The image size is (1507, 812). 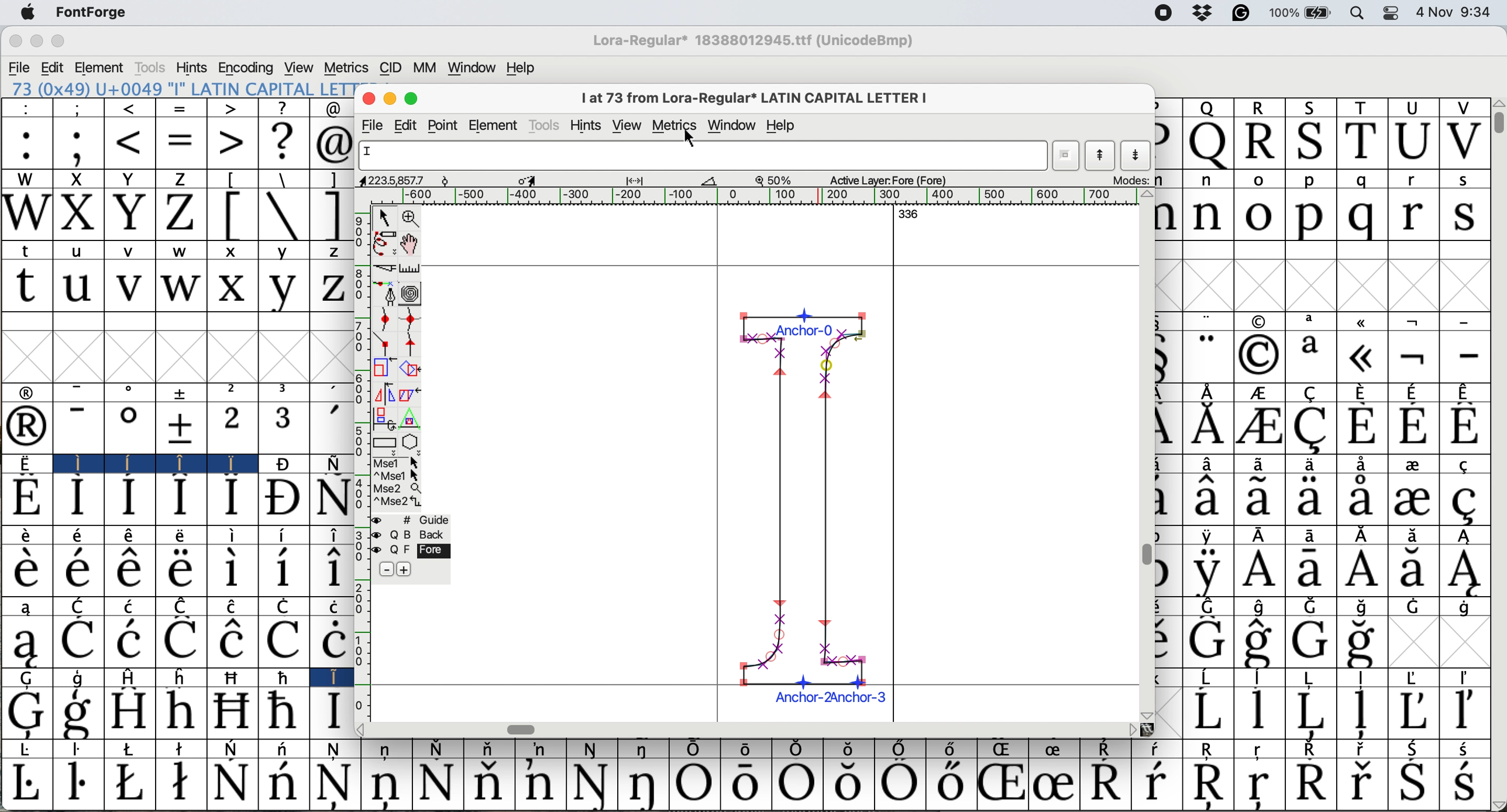 What do you see at coordinates (128, 641) in the screenshot?
I see `Symbol` at bounding box center [128, 641].